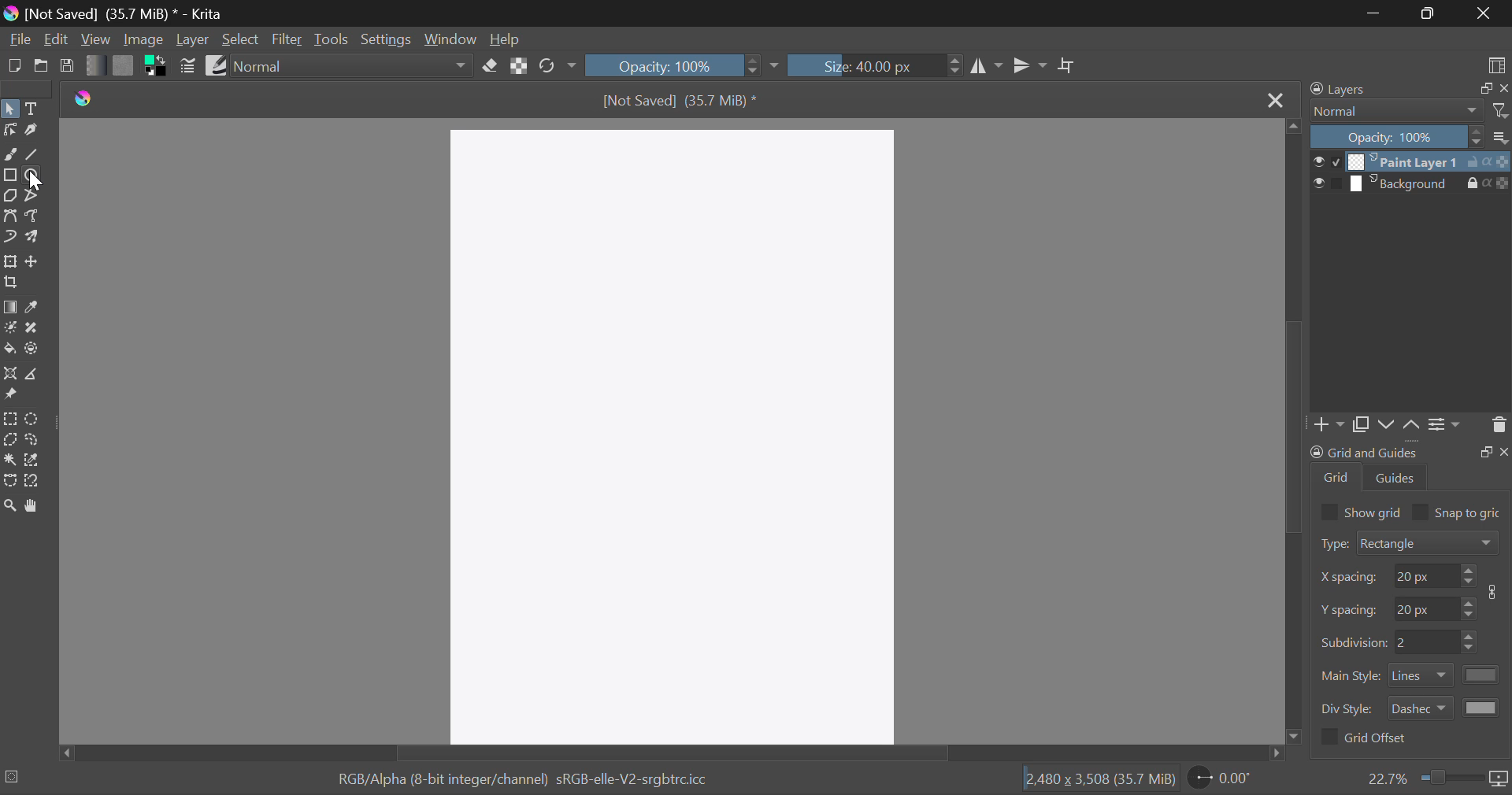 This screenshot has width=1512, height=795. What do you see at coordinates (665, 753) in the screenshot?
I see `Scroll Bar` at bounding box center [665, 753].